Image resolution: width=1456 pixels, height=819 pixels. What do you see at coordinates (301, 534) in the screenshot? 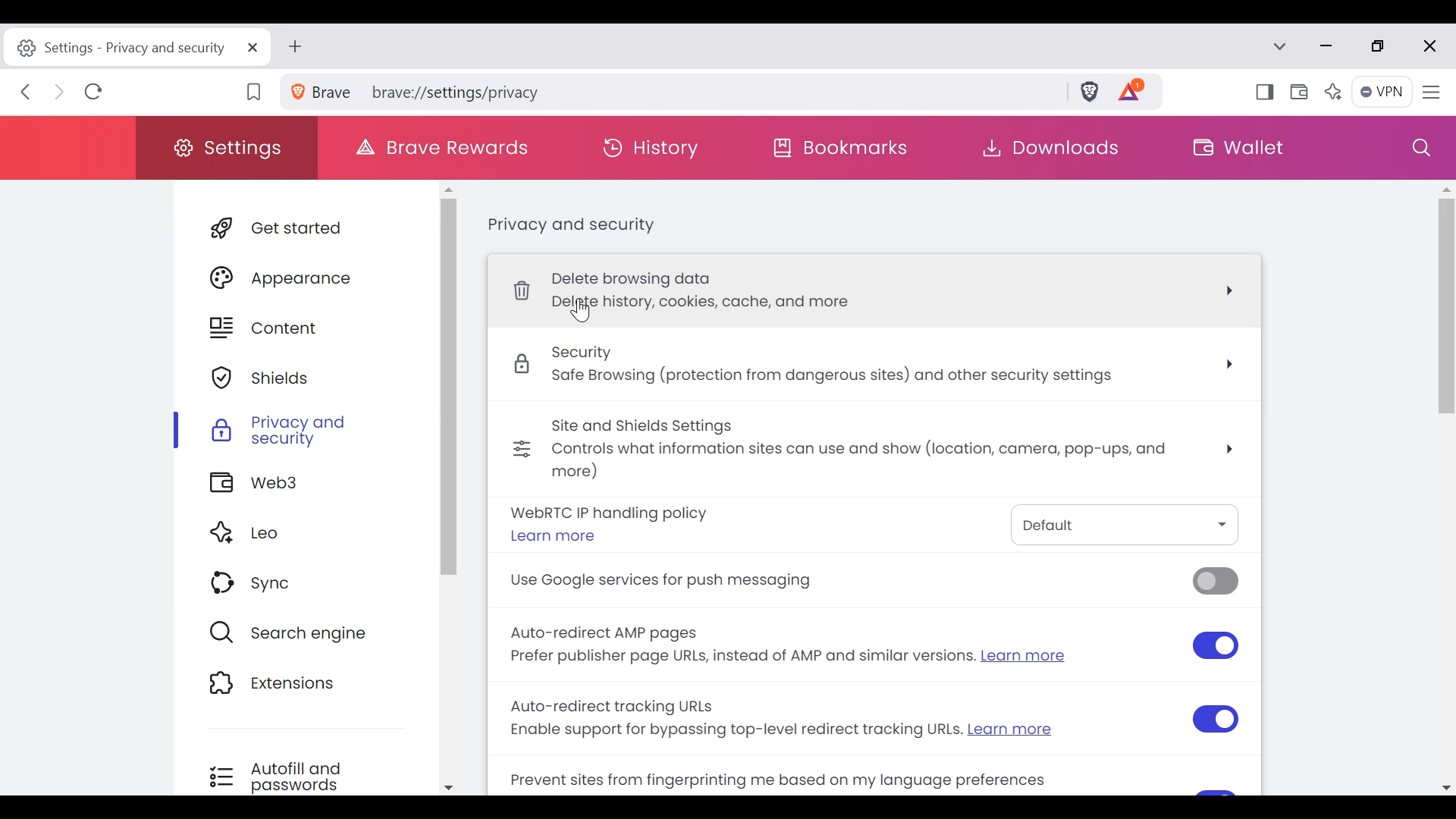
I see `Leo` at bounding box center [301, 534].